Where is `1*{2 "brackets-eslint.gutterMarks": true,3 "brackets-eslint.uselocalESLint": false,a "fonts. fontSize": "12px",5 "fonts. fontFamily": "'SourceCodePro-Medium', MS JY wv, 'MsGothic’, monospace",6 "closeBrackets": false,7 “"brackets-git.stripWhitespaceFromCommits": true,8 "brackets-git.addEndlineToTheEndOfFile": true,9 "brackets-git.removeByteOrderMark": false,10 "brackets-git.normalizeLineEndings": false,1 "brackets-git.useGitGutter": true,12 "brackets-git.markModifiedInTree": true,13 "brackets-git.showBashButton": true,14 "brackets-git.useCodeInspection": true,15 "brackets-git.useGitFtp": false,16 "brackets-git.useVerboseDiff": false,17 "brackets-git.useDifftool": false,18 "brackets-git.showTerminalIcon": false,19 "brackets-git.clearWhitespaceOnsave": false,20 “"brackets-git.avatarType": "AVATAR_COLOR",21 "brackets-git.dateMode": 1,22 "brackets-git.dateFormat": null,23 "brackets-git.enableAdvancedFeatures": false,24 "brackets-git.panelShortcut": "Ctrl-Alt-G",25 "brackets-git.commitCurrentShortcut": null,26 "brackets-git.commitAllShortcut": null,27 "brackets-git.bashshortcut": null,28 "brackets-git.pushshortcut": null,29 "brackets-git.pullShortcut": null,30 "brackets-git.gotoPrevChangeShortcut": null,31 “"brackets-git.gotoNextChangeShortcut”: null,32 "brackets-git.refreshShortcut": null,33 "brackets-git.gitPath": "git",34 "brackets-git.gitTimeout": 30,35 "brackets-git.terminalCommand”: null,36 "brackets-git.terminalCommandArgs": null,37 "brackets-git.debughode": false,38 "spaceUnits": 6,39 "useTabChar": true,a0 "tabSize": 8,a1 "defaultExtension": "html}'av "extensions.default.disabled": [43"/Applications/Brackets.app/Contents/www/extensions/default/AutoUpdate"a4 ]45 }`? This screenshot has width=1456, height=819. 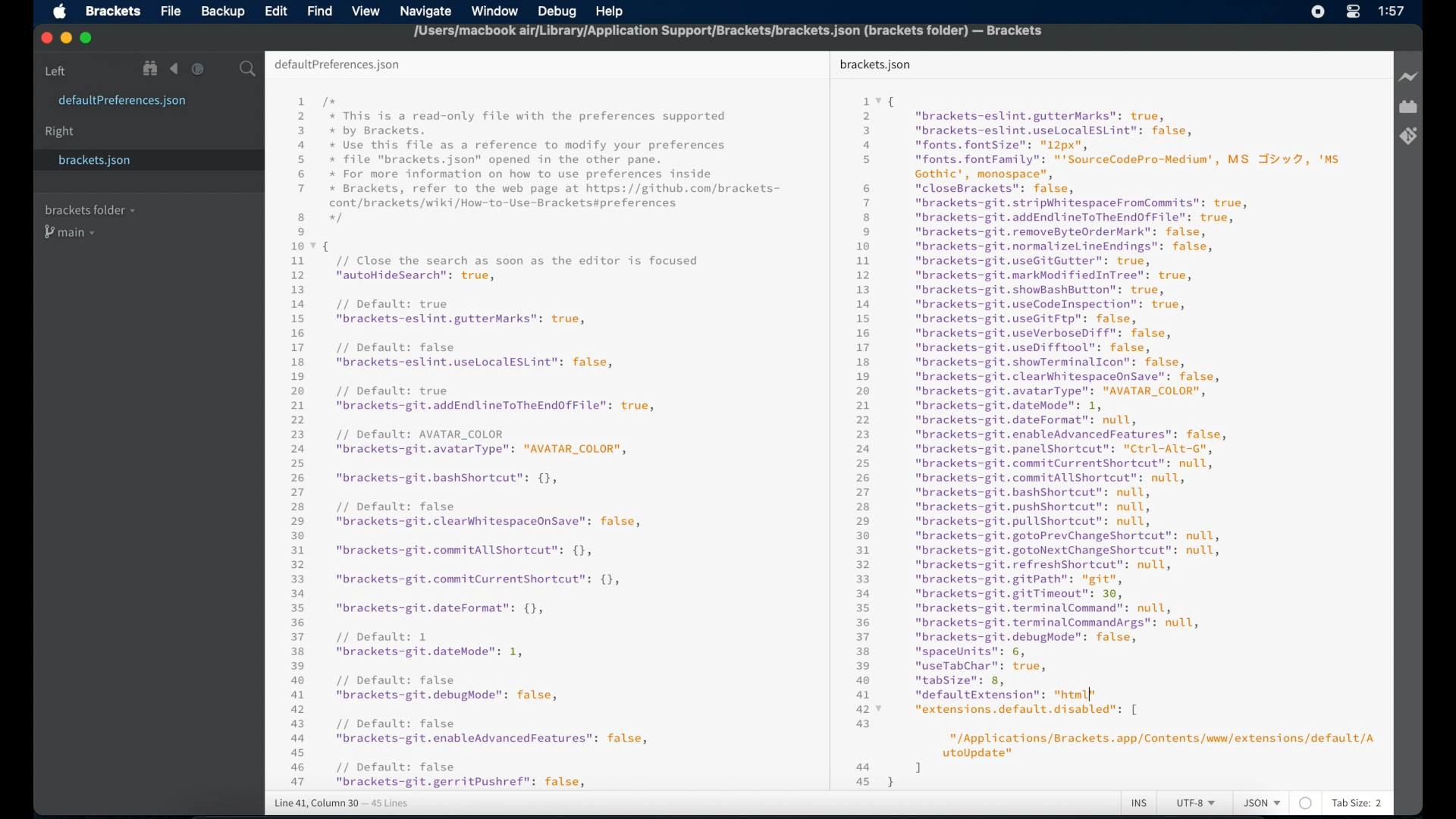
1*{2 "brackets-eslint.gutterMarks": true,3 "brackets-eslint.uselocalESLint": false,a "fonts. fontSize": "12px",5 "fonts. fontFamily": "'SourceCodePro-Medium', MS JY wv, 'MsGothic’, monospace",6 "closeBrackets": false,7 “"brackets-git.stripWhitespaceFromCommits": true,8 "brackets-git.addEndlineToTheEndOfFile": true,9 "brackets-git.removeByteOrderMark": false,10 "brackets-git.normalizeLineEndings": false,1 "brackets-git.useGitGutter": true,12 "brackets-git.markModifiedInTree": true,13 "brackets-git.showBashButton": true,14 "brackets-git.useCodeInspection": true,15 "brackets-git.useGitFtp": false,16 "brackets-git.useVerboseDiff": false,17 "brackets-git.useDifftool": false,18 "brackets-git.showTerminalIcon": false,19 "brackets-git.clearWhitespaceOnsave": false,20 “"brackets-git.avatarType": "AVATAR_COLOR",21 "brackets-git.dateMode": 1,22 "brackets-git.dateFormat": null,23 "brackets-git.enableAdvancedFeatures": false,24 "brackets-git.panelShortcut": "Ctrl-Alt-G",25 "brackets-git.commitCurrentShortcut": null,26 "brackets-git.commitAllShortcut": null,27 "brackets-git.bashshortcut": null,28 "brackets-git.pushshortcut": null,29 "brackets-git.pullShortcut": null,30 "brackets-git.gotoPrevChangeShortcut": null,31 “"brackets-git.gotoNextChangeShortcut”: null,32 "brackets-git.refreshShortcut": null,33 "brackets-git.gitPath": "git",34 "brackets-git.gitTimeout": 30,35 "brackets-git.terminalCommand”: null,36 "brackets-git.terminalCommandArgs": null,37 "brackets-git.debughode": false,38 "spaceUnits": 6,39 "useTabChar": true,a0 "tabSize": 8,a1 "defaultExtension": "html}'av "extensions.default.disabled": [43"/Applications/Brackets.app/Contents/www/extensions/default/AutoUpdate"a4 ]45 } is located at coordinates (1107, 439).